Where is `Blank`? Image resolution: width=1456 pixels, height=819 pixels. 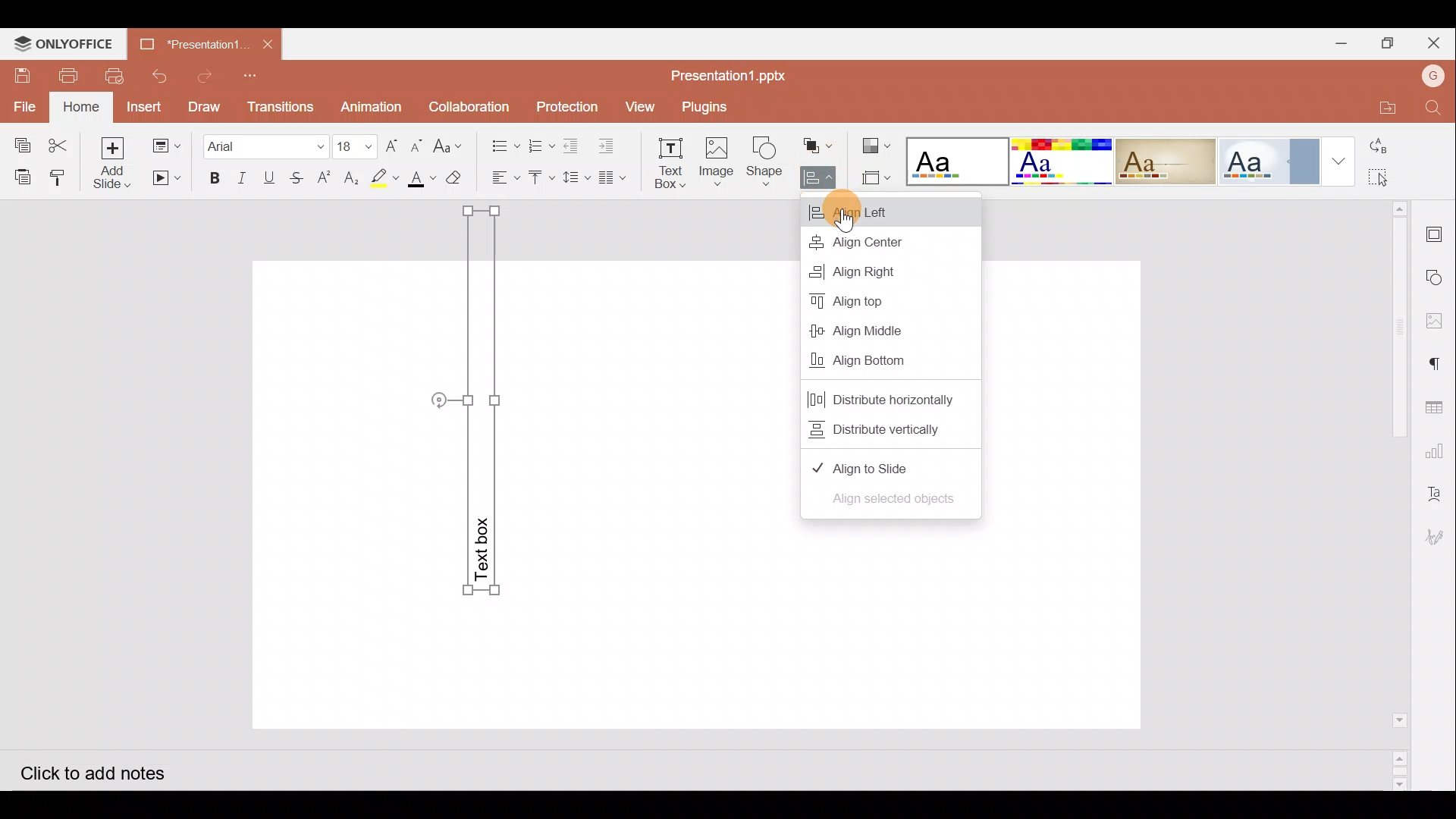
Blank is located at coordinates (954, 159).